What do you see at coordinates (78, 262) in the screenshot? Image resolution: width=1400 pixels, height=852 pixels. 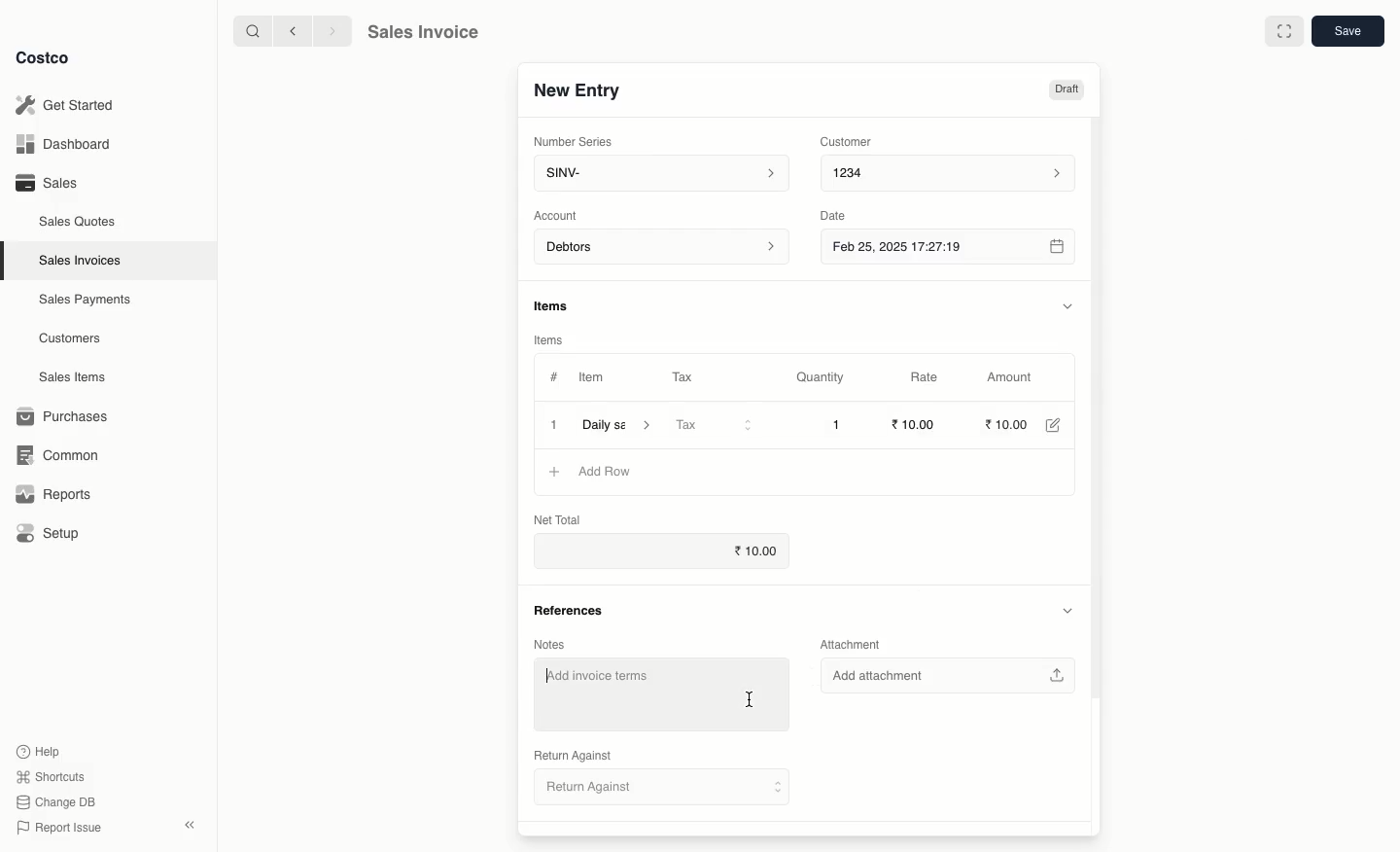 I see `Sales Invoices.` at bounding box center [78, 262].